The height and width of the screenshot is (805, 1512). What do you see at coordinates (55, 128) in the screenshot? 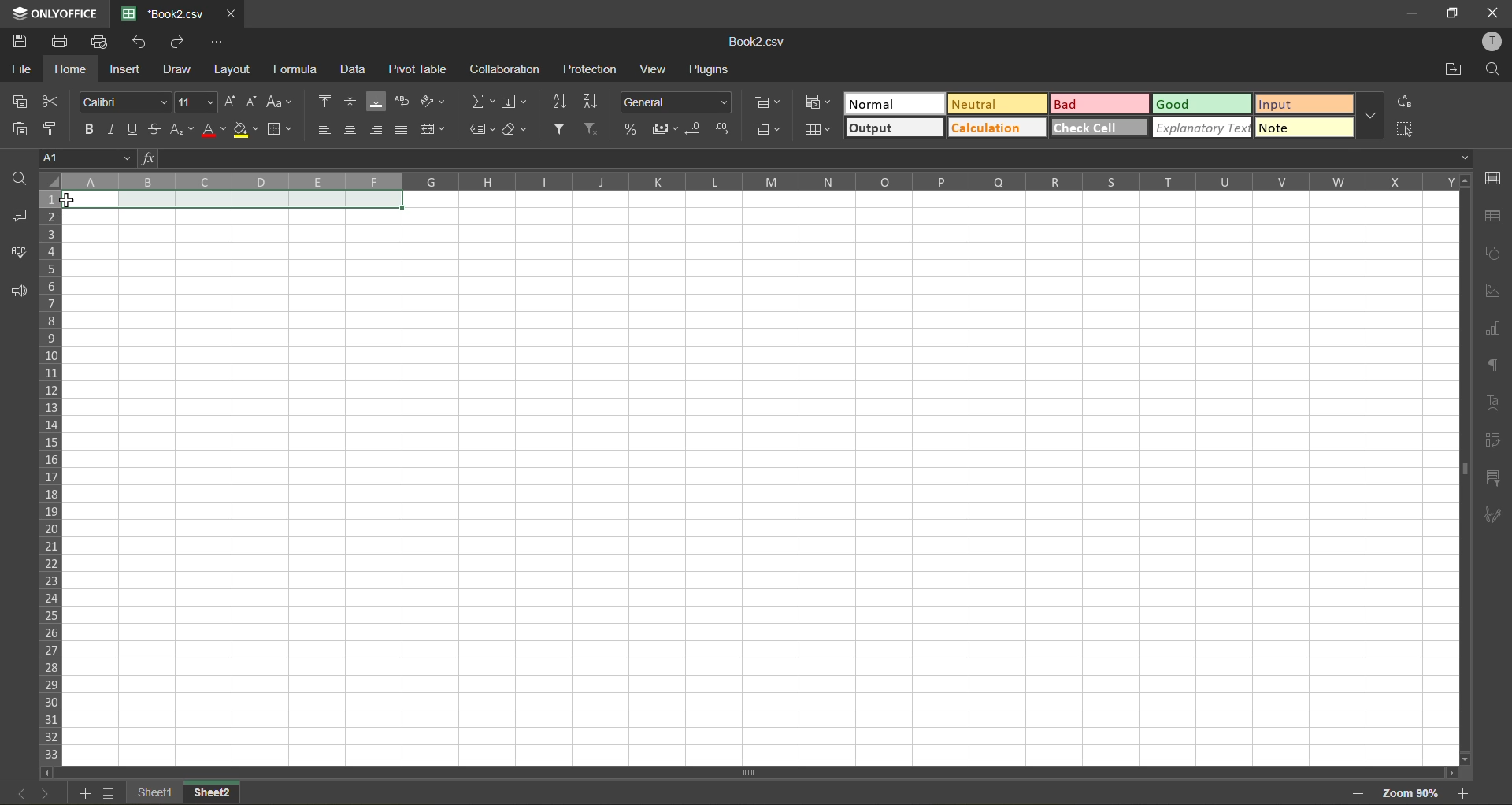
I see `copy style` at bounding box center [55, 128].